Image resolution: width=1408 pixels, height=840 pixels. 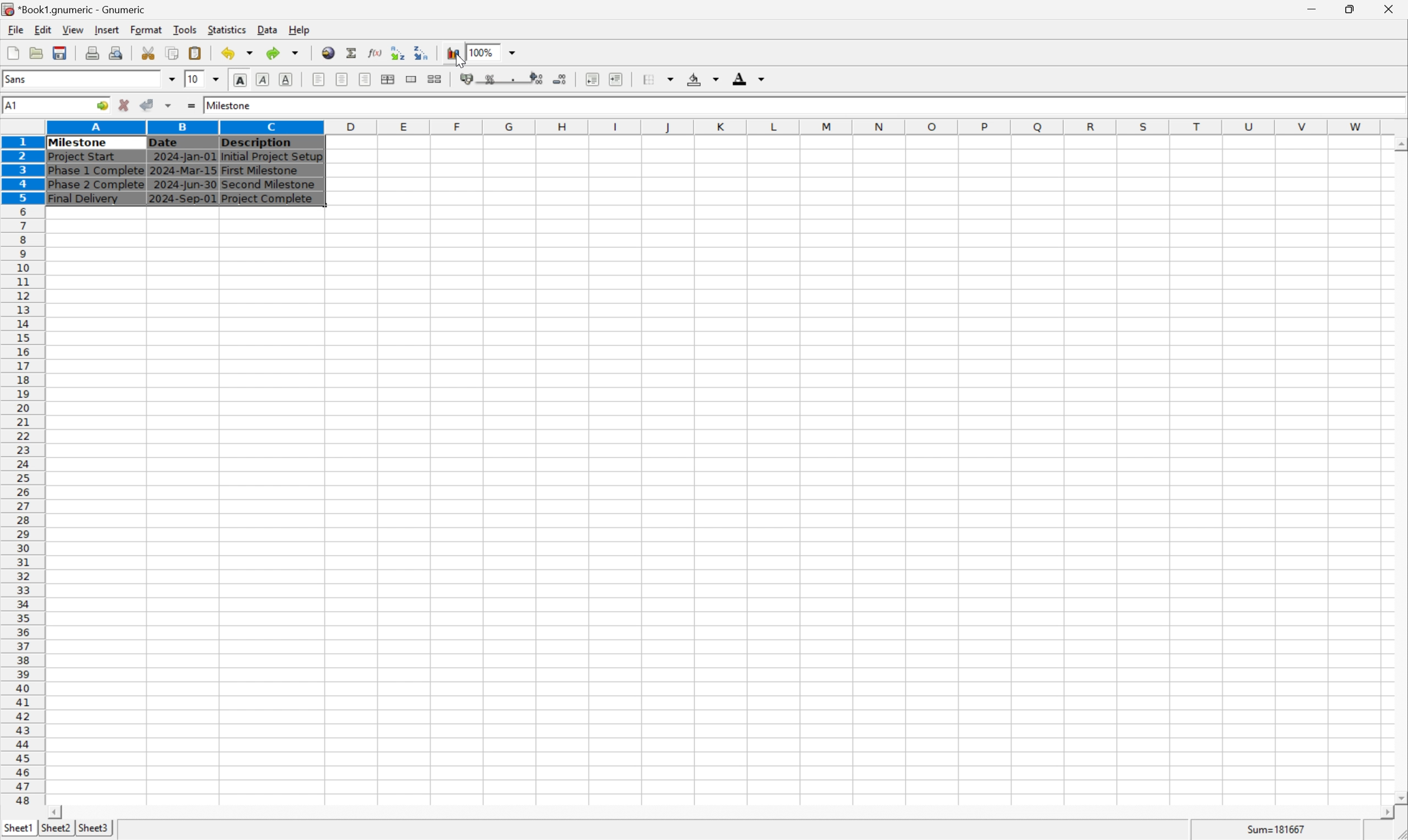 I want to click on print preview, so click(x=92, y=52).